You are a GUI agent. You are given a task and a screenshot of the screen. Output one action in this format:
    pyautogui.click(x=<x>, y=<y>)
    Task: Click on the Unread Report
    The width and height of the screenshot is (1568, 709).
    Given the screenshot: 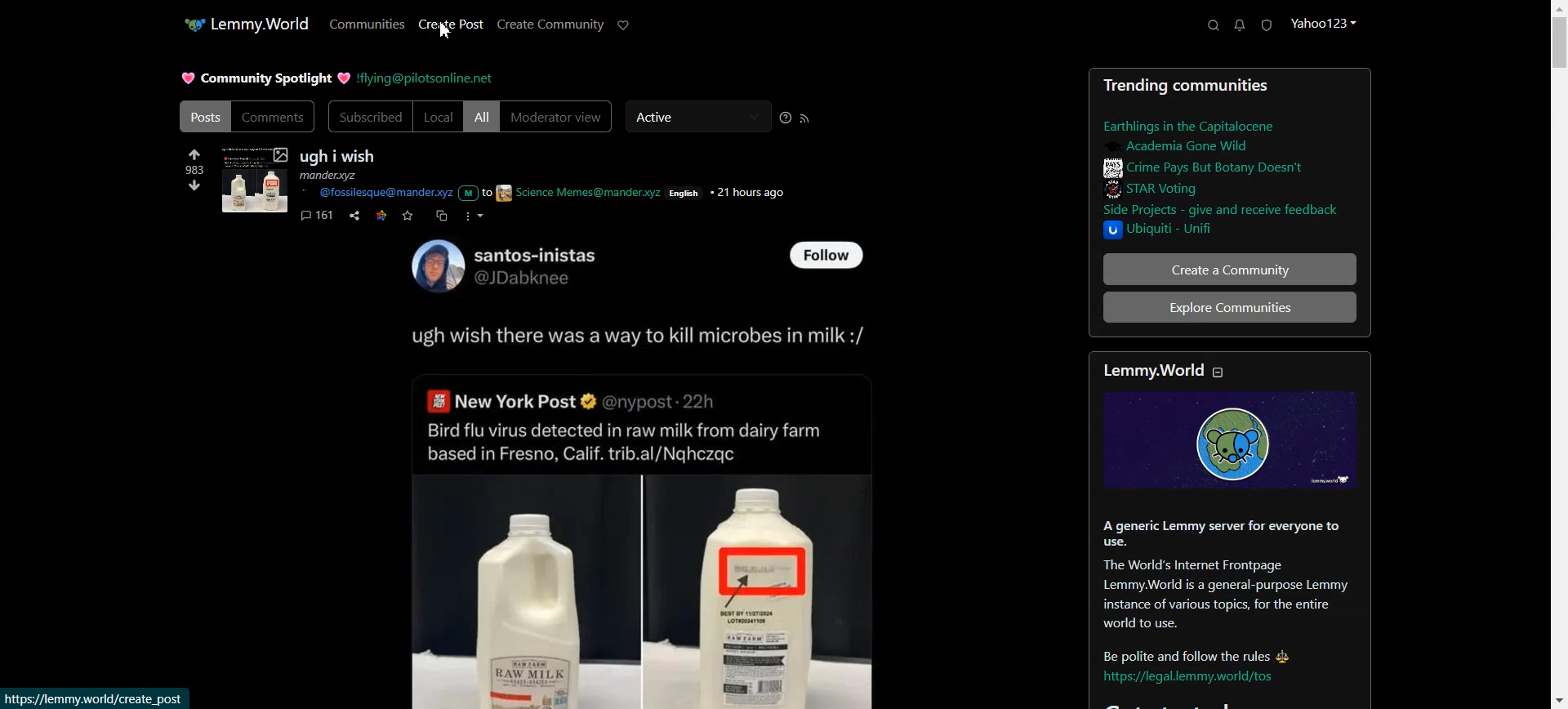 What is the action you would take?
    pyautogui.click(x=1266, y=25)
    